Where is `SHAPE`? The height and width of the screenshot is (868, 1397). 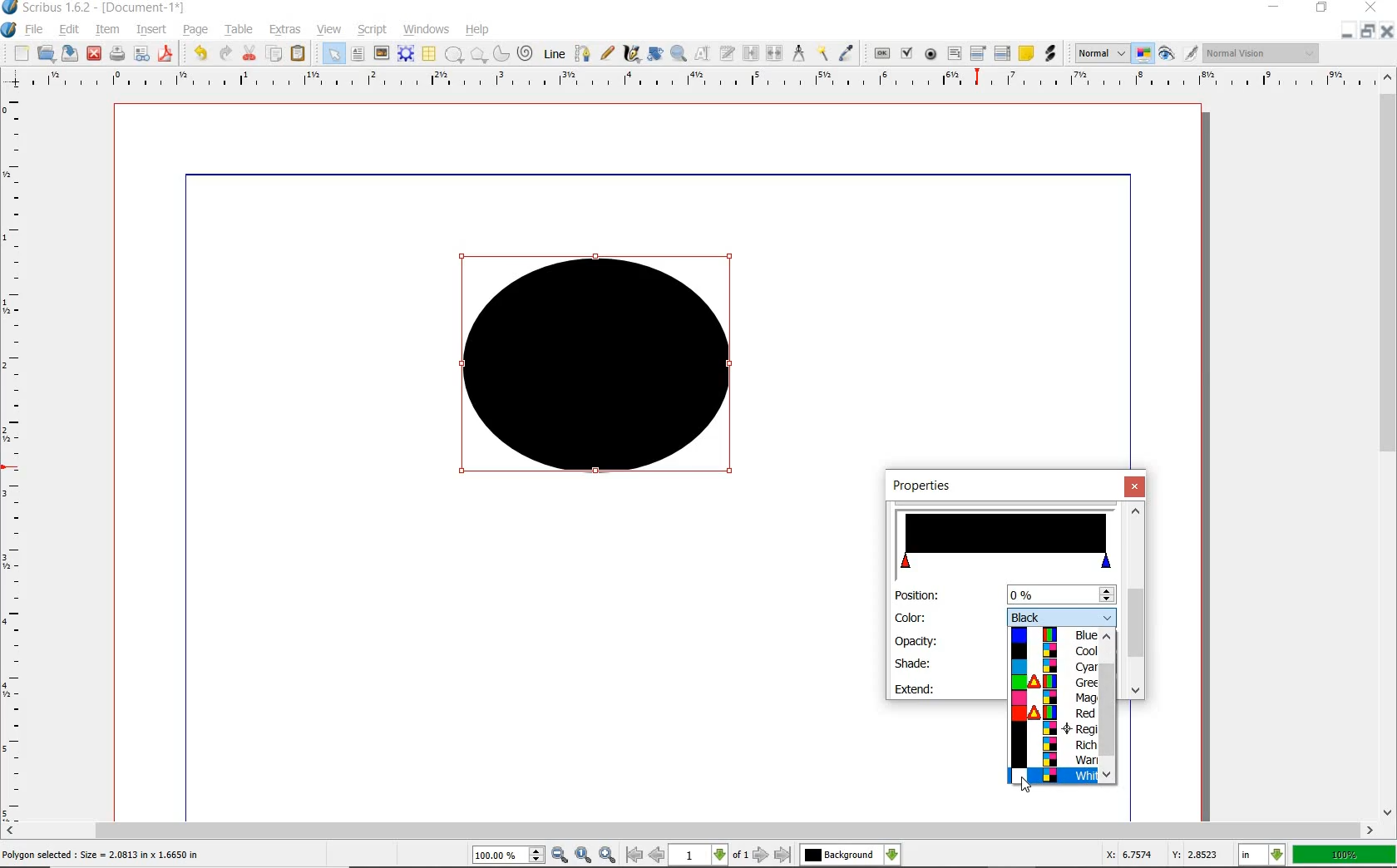 SHAPE is located at coordinates (453, 55).